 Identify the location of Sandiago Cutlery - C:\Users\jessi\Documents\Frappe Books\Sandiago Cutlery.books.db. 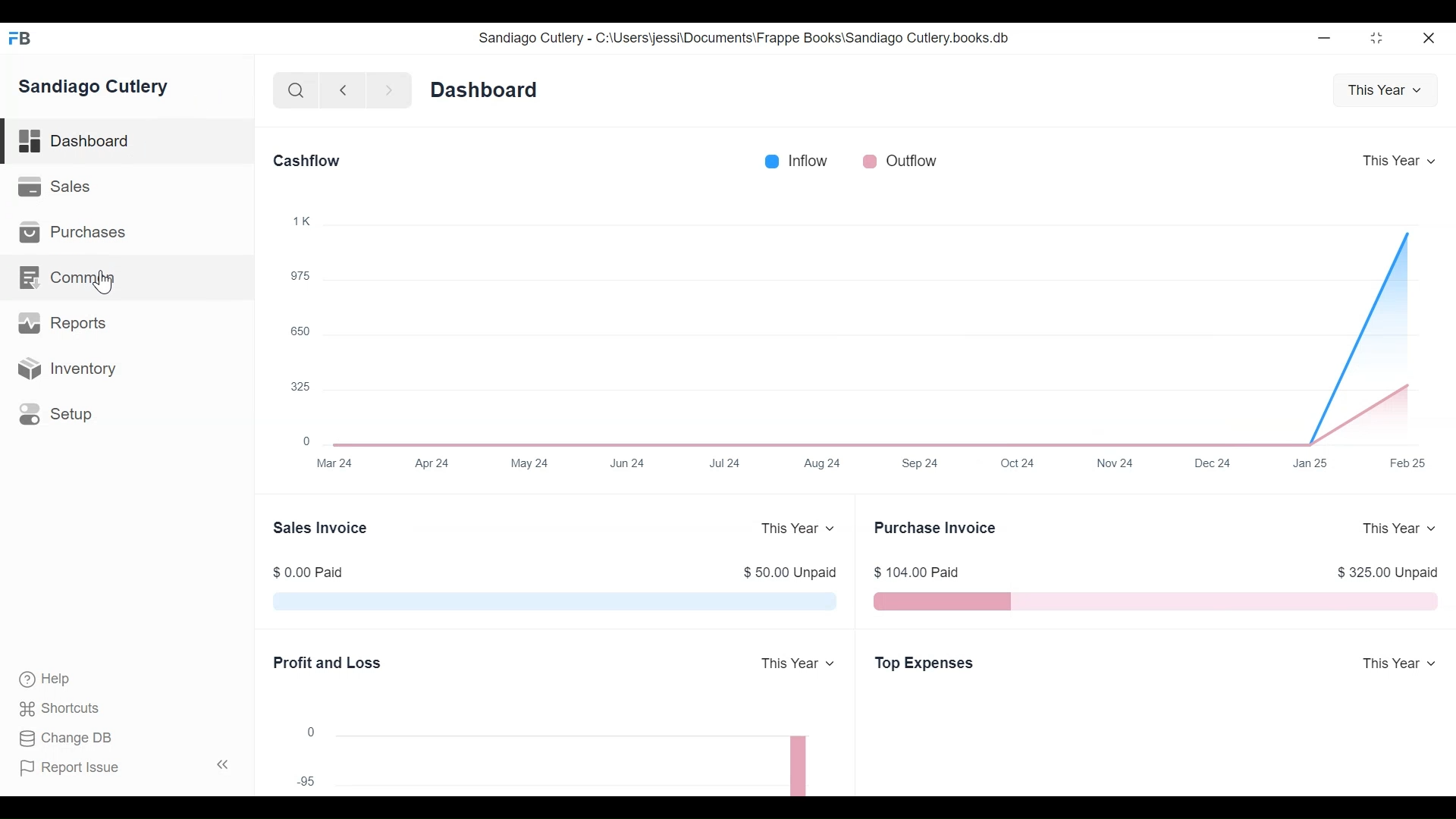
(745, 37).